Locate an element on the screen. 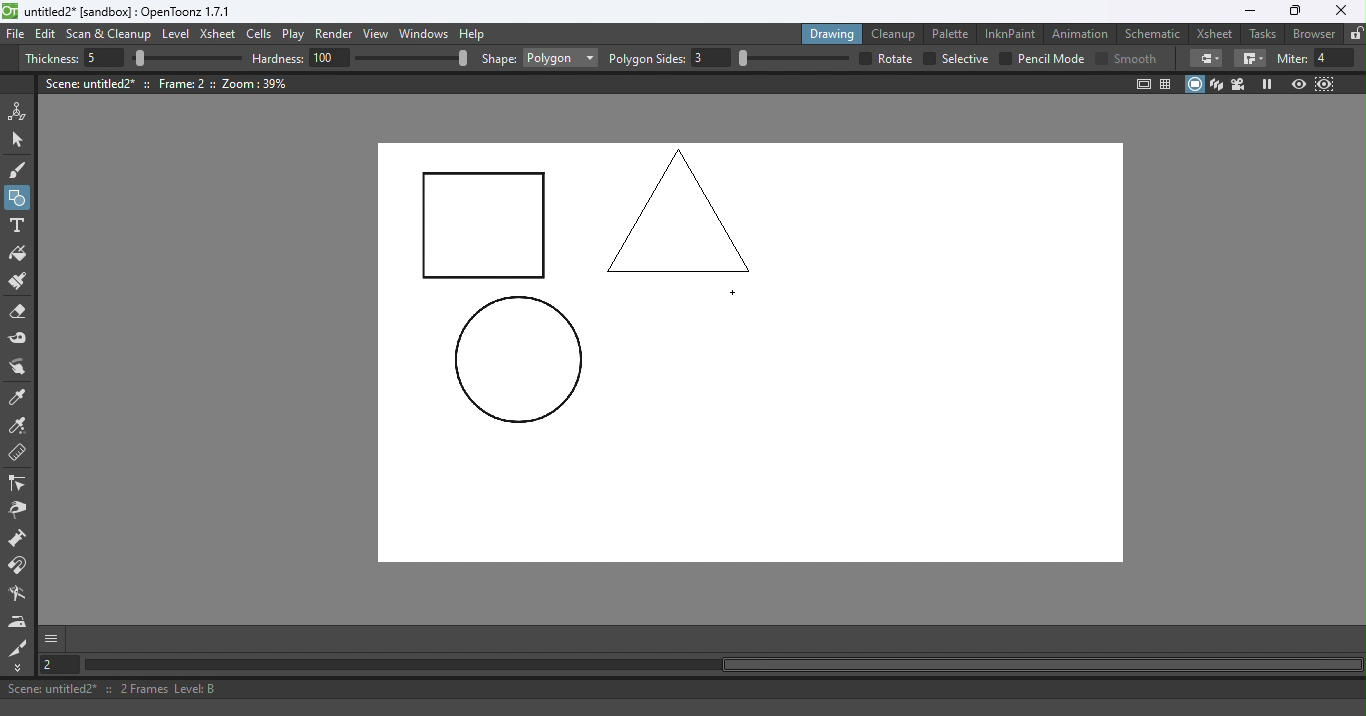 The height and width of the screenshot is (716, 1366). Horizontal scroll bar is located at coordinates (722, 665).